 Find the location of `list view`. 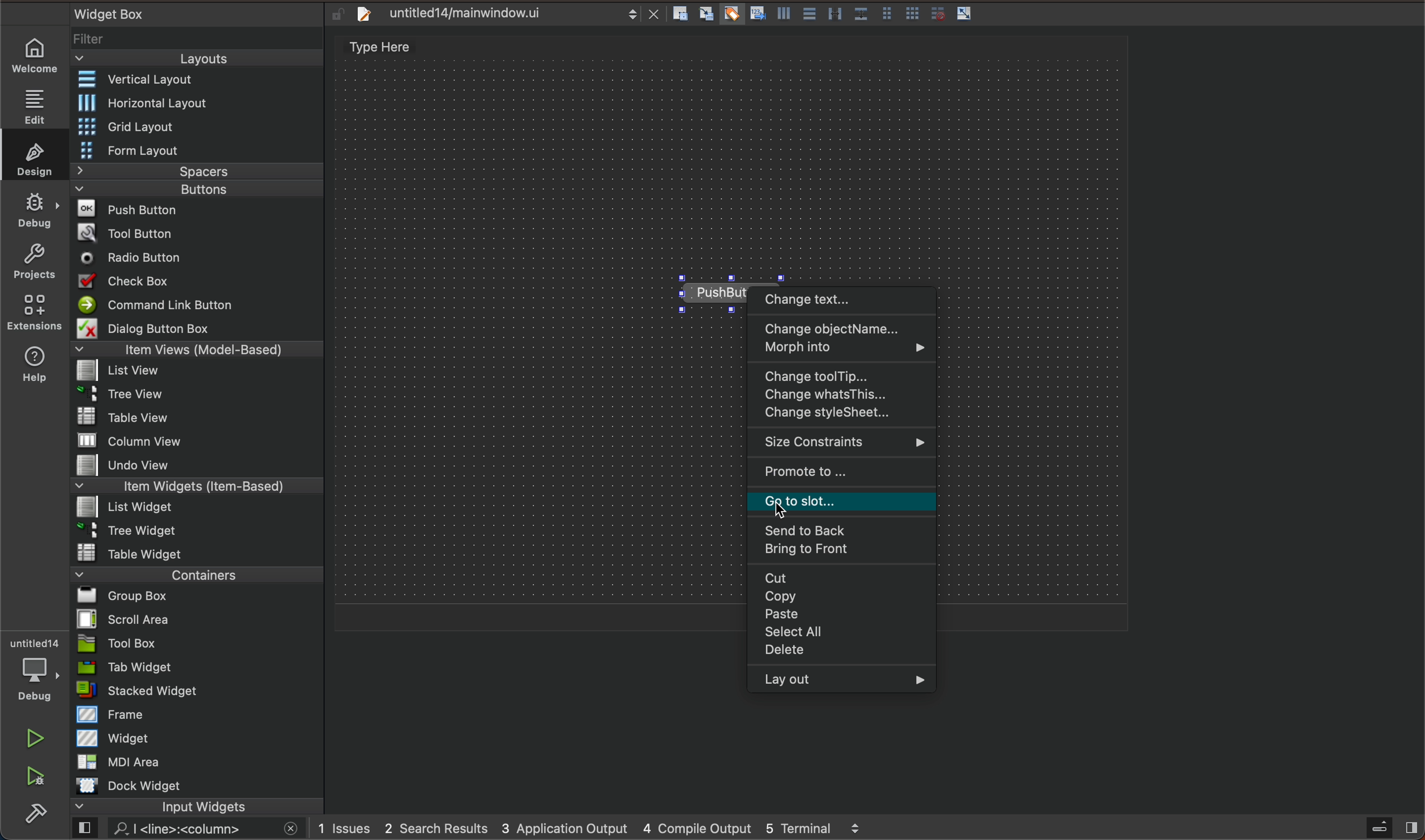

list view is located at coordinates (203, 372).